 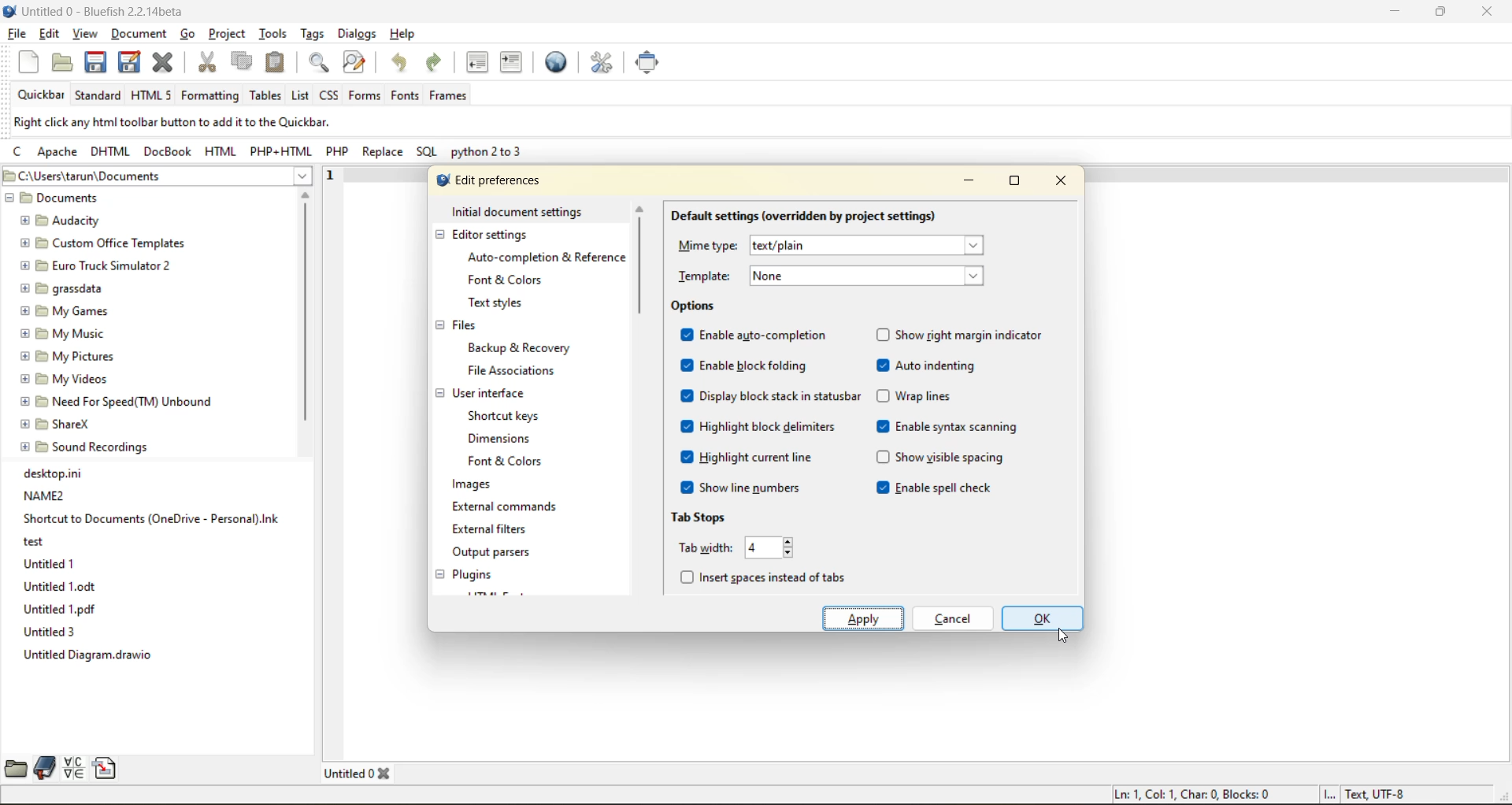 What do you see at coordinates (477, 63) in the screenshot?
I see `unindent` at bounding box center [477, 63].